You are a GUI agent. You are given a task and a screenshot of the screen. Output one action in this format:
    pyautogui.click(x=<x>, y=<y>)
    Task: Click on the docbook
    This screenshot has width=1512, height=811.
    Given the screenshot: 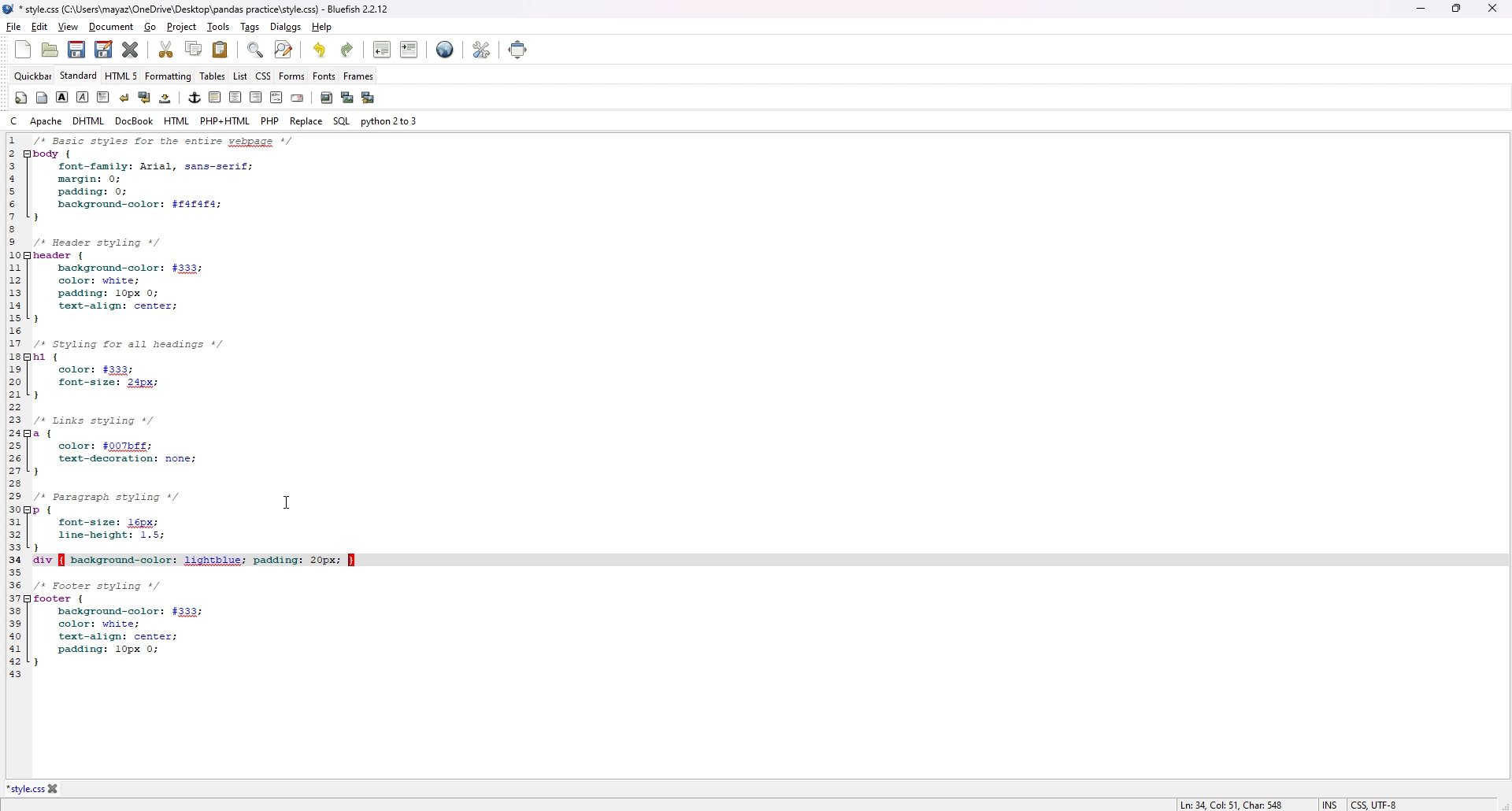 What is the action you would take?
    pyautogui.click(x=136, y=120)
    